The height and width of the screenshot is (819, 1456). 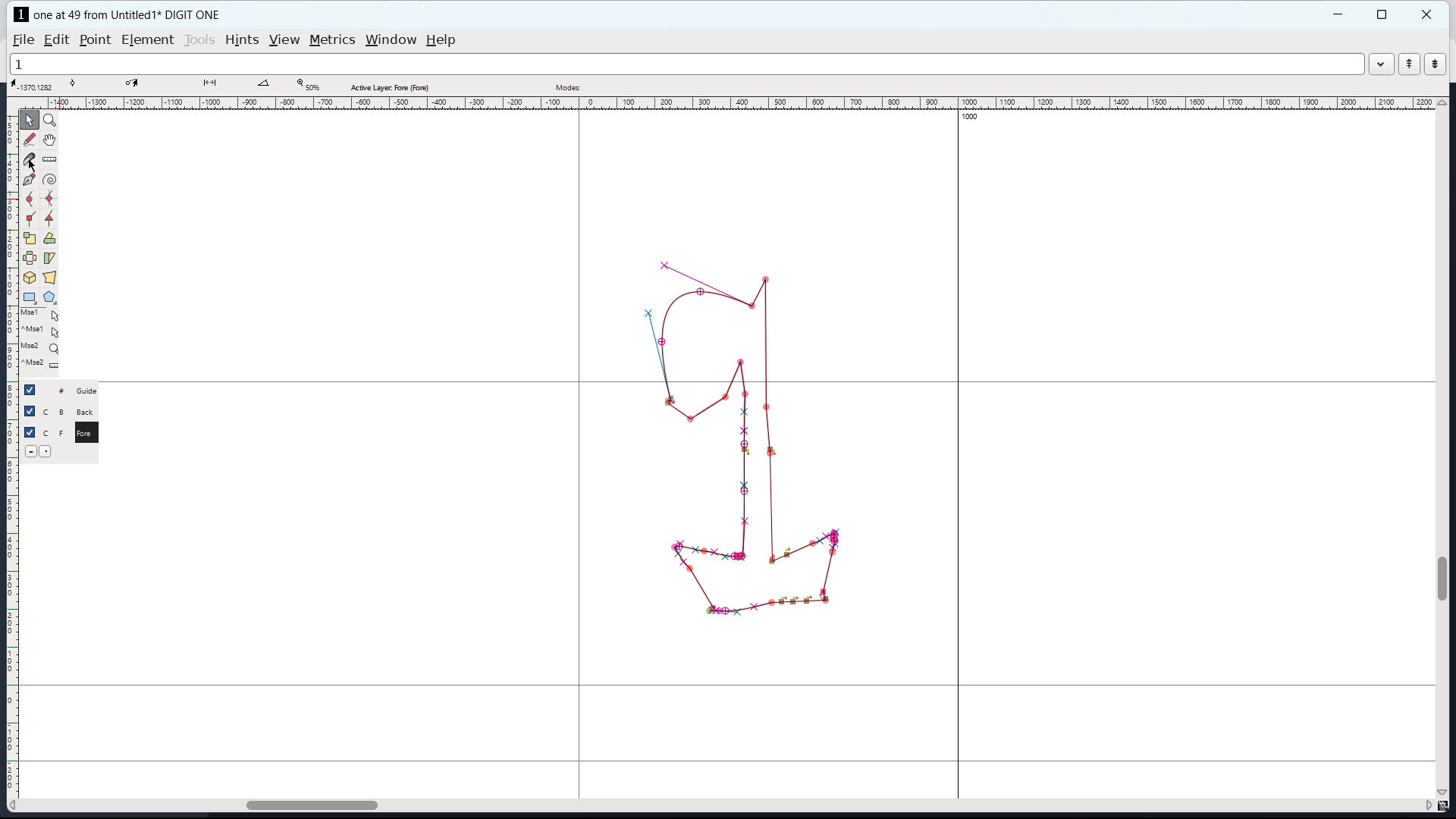 I want to click on horizontal ruler, so click(x=736, y=104).